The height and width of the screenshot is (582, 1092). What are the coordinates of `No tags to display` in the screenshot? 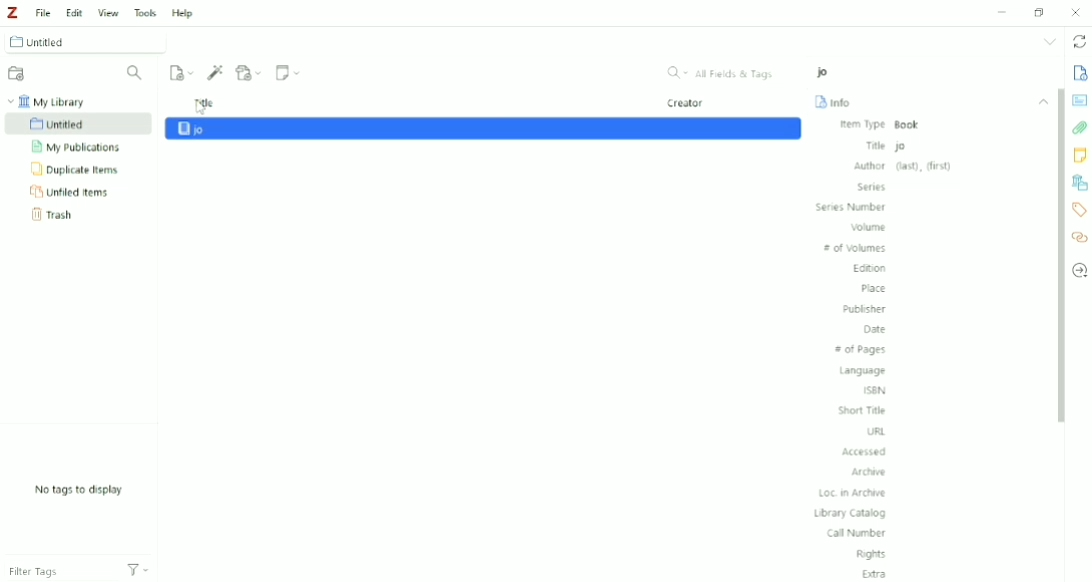 It's located at (79, 490).